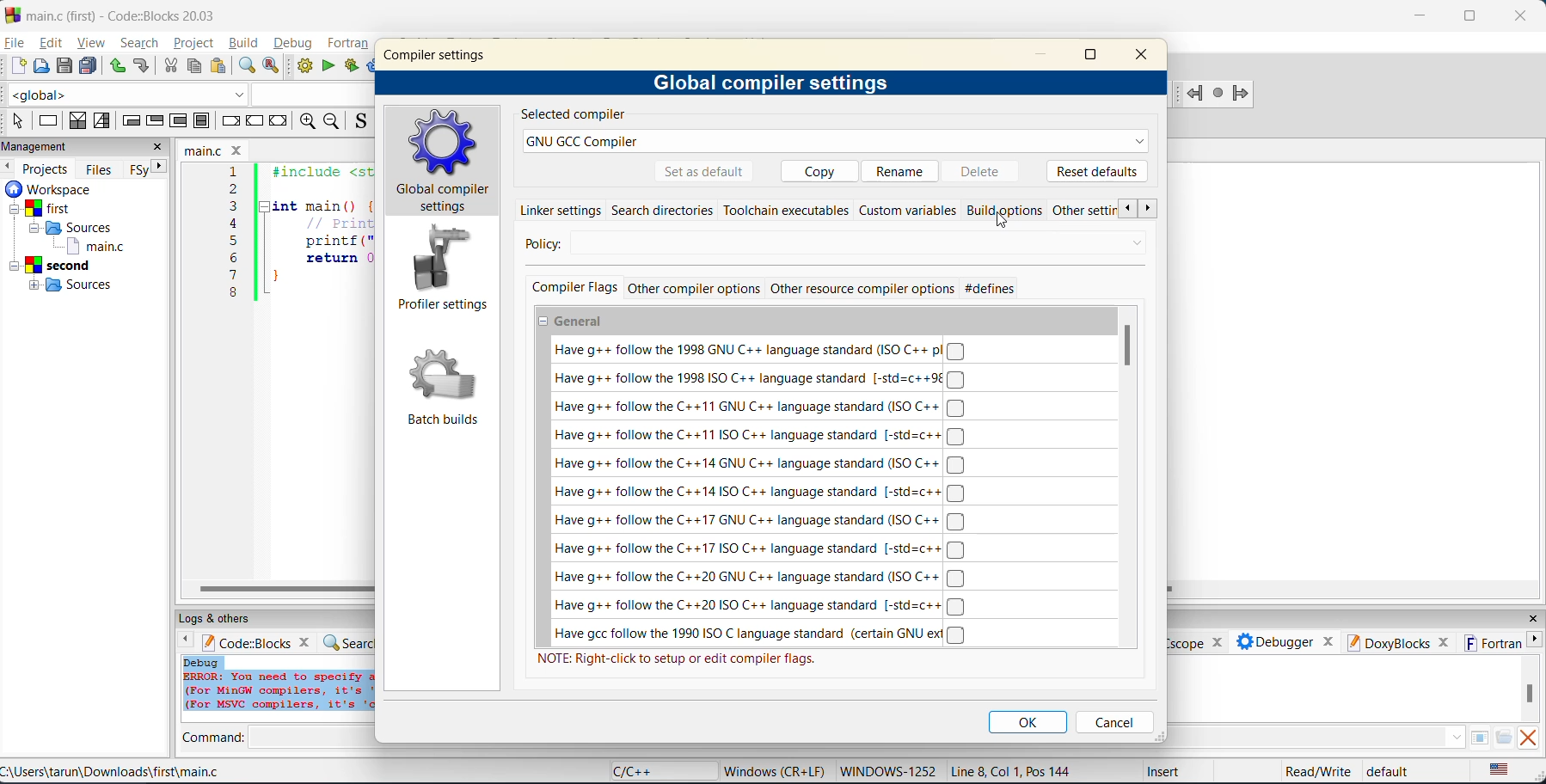 The height and width of the screenshot is (784, 1546). I want to click on search, so click(142, 42).